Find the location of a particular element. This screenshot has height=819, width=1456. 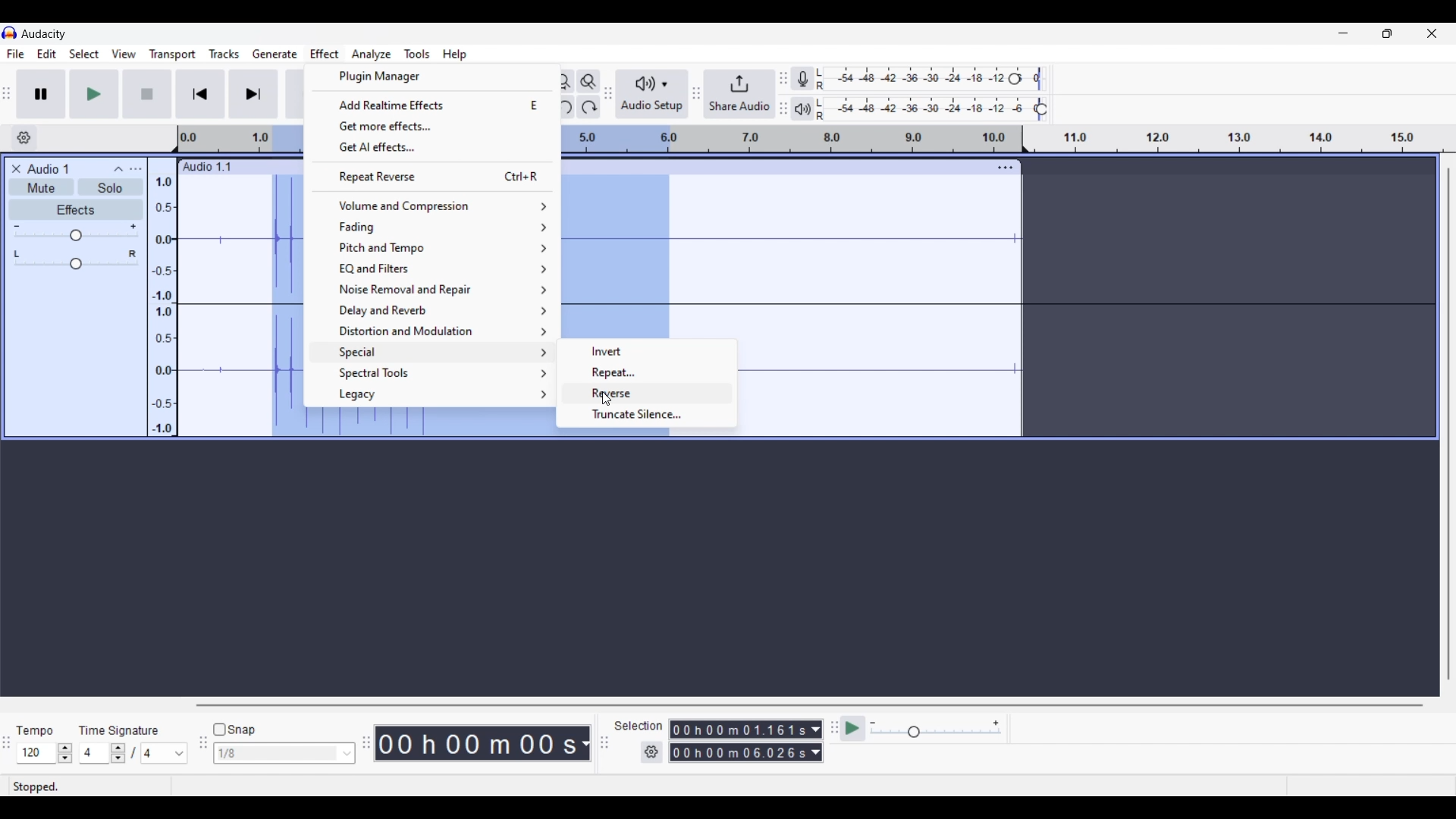

Volume and compression options is located at coordinates (431, 206).